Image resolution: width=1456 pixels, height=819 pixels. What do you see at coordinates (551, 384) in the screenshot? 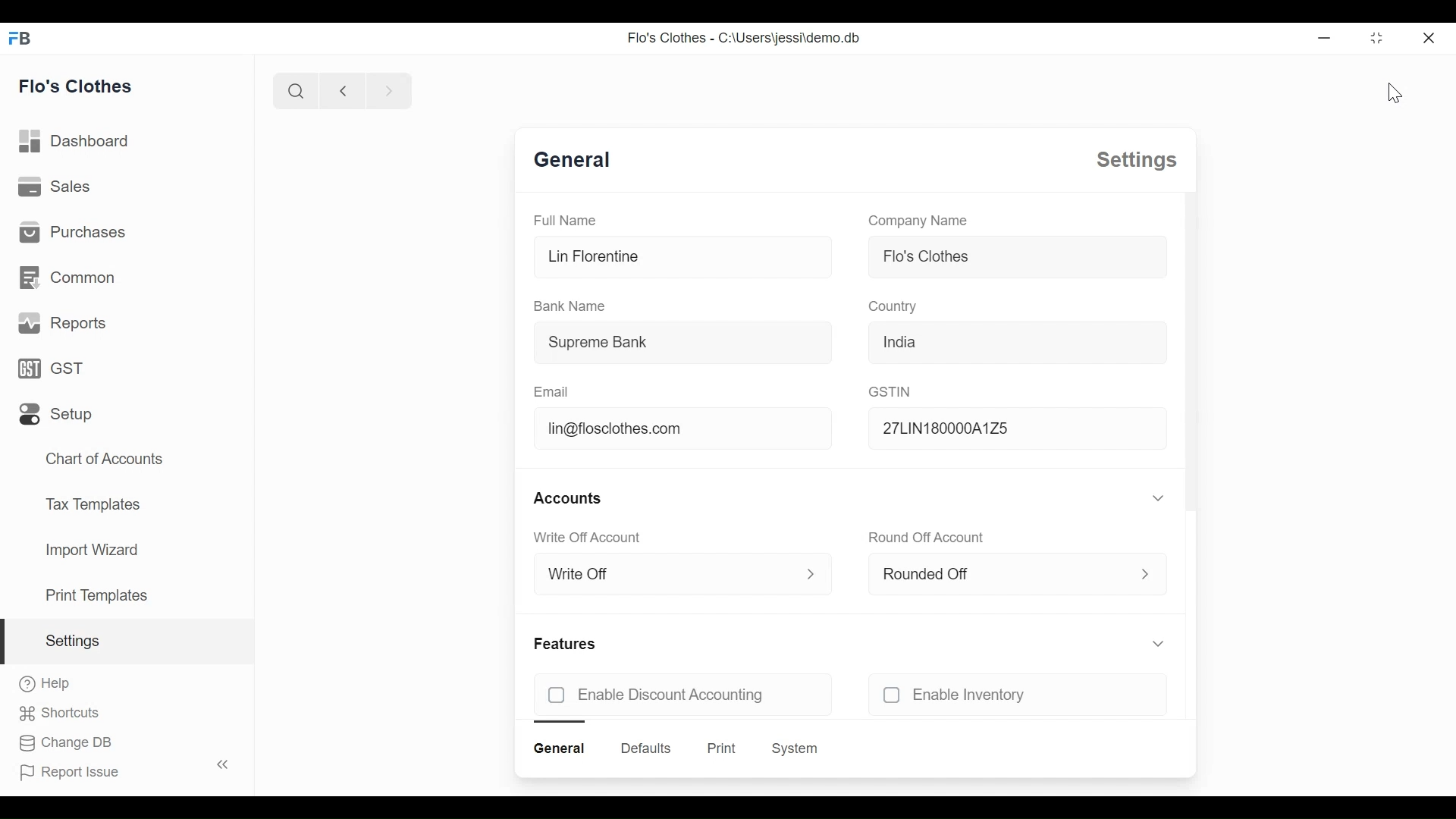
I see `Email` at bounding box center [551, 384].